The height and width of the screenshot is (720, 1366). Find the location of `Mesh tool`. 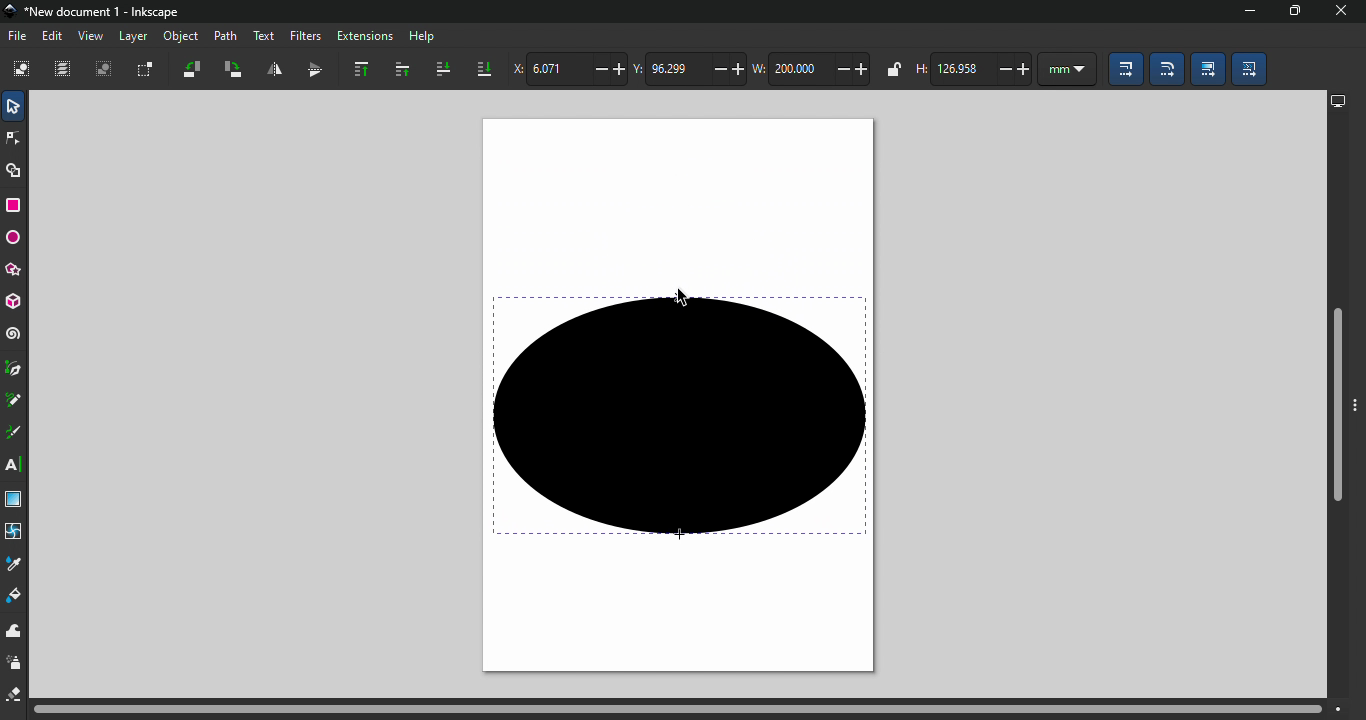

Mesh tool is located at coordinates (14, 532).